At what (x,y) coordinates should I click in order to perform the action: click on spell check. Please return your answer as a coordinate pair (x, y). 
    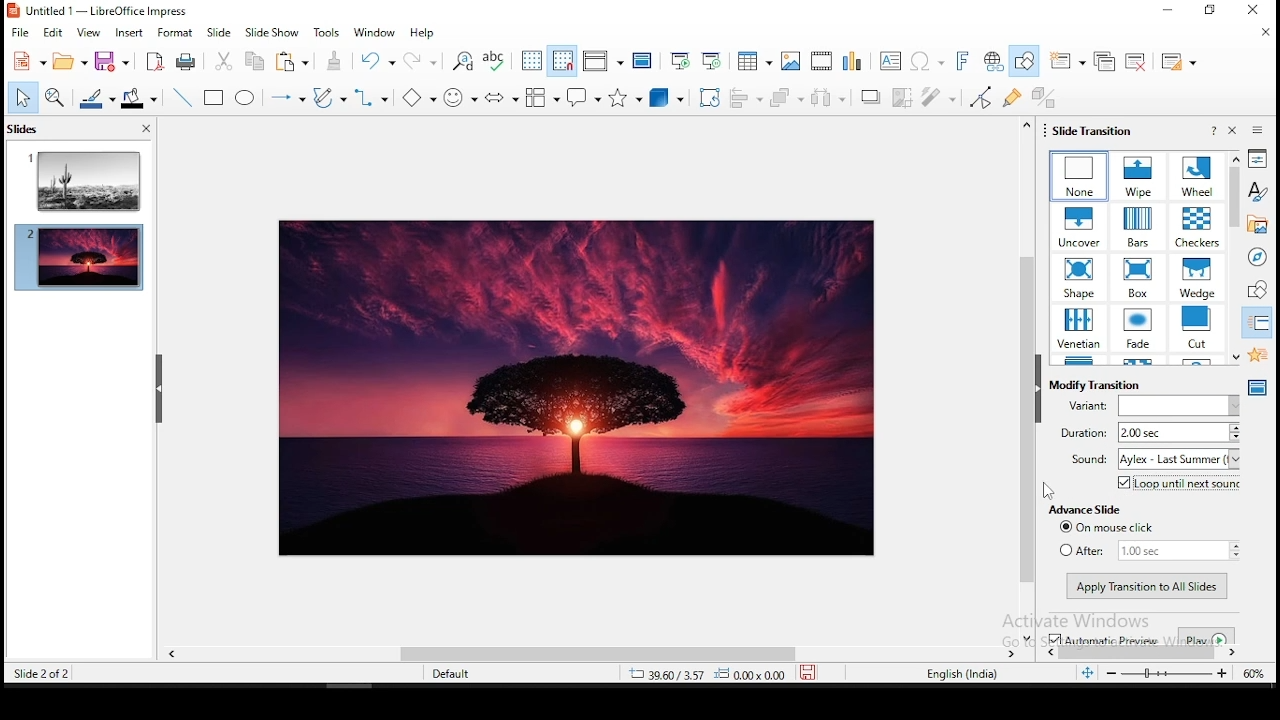
    Looking at the image, I should click on (497, 62).